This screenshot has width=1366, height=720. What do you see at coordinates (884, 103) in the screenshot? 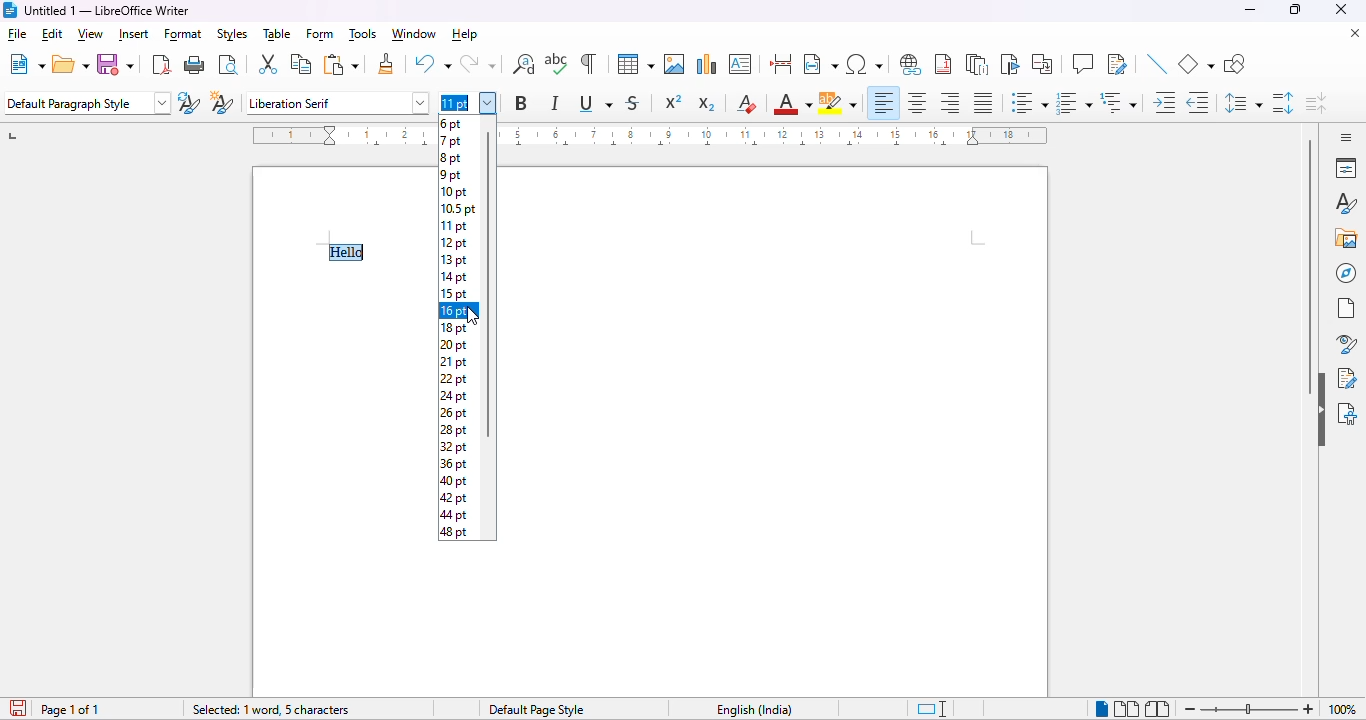
I see `align left` at bounding box center [884, 103].